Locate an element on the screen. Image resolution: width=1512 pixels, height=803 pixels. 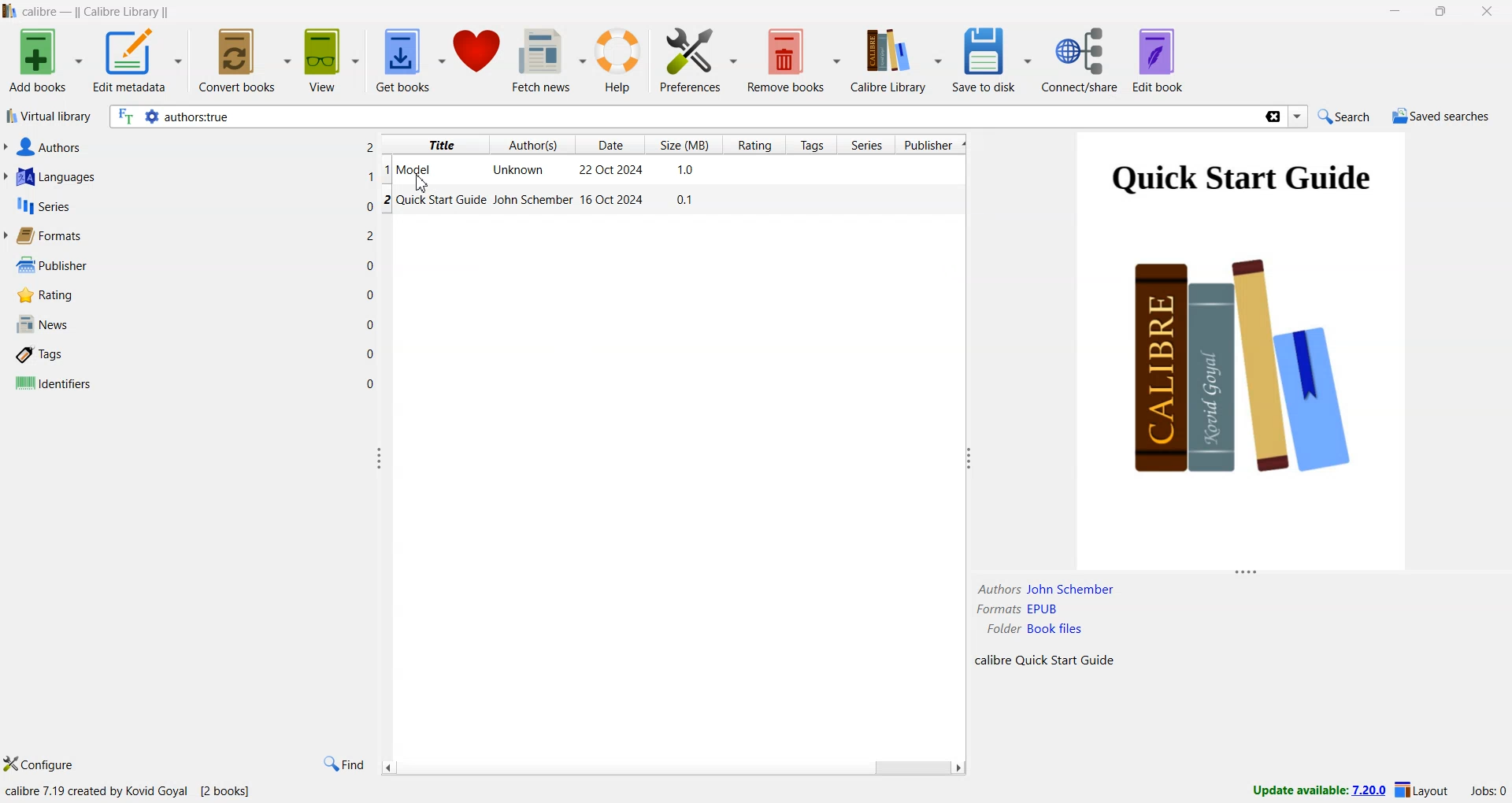
0 is located at coordinates (372, 293).